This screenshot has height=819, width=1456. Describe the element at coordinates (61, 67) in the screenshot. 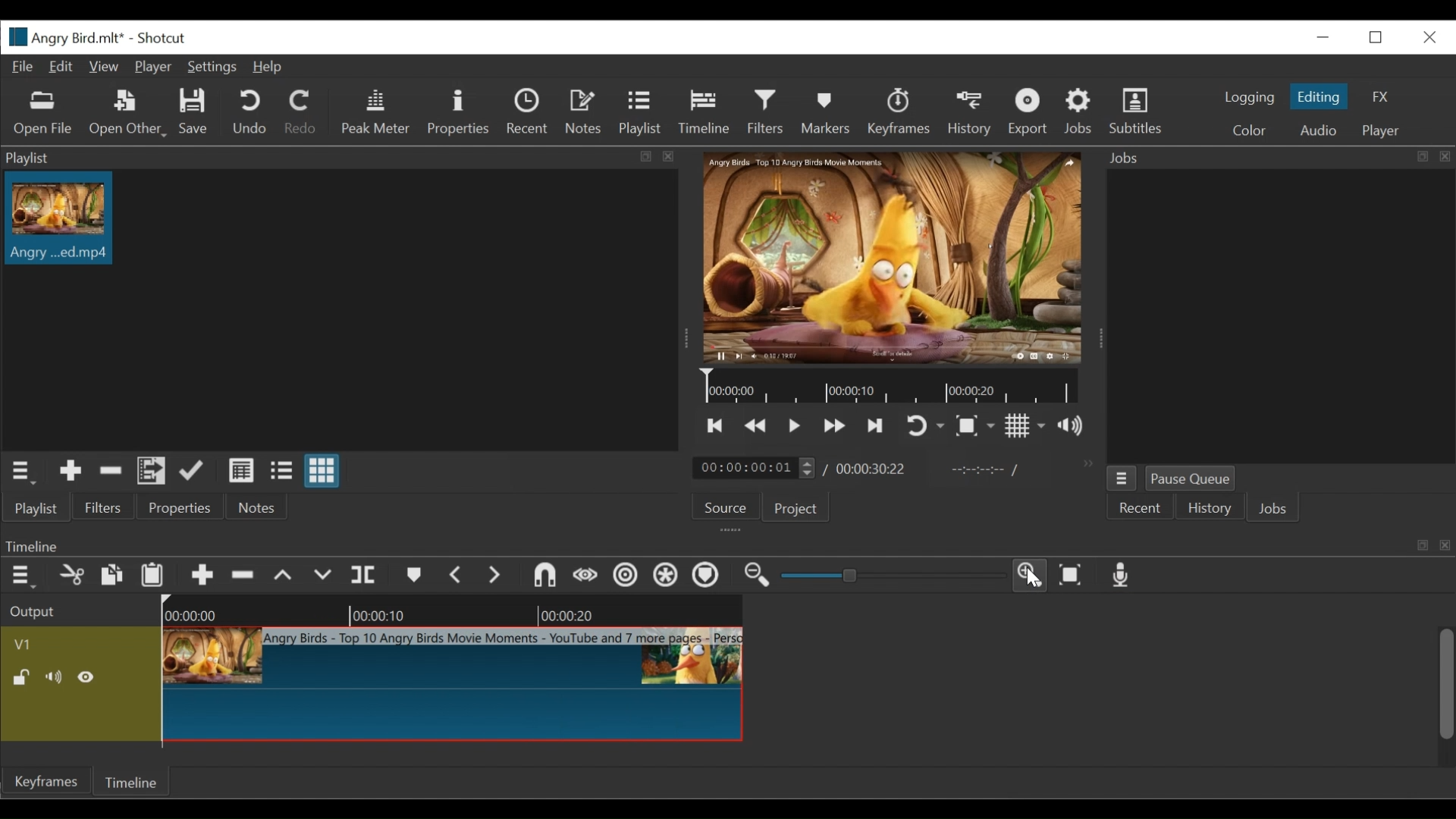

I see `Edit` at that location.